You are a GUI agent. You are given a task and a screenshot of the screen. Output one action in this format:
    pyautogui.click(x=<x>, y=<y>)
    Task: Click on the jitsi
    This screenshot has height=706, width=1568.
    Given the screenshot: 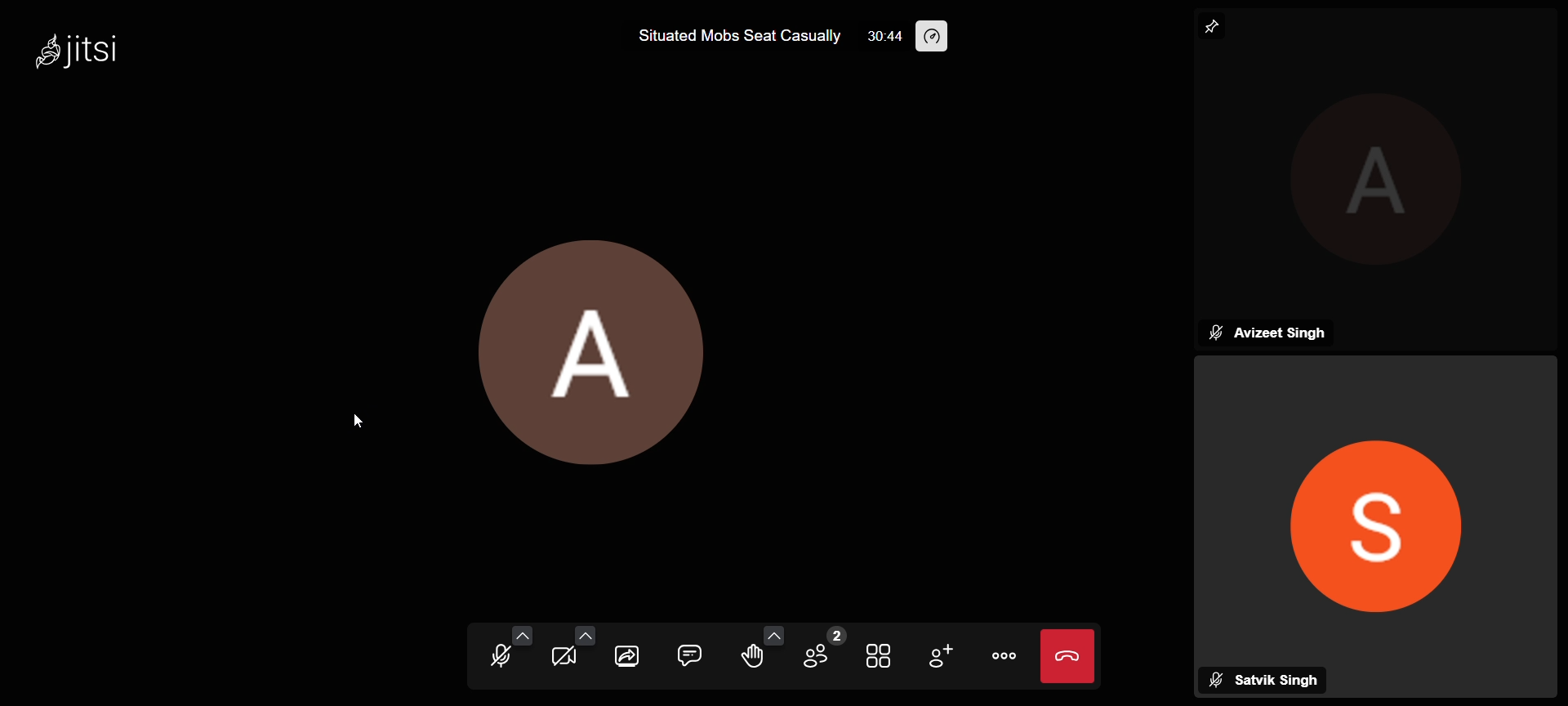 What is the action you would take?
    pyautogui.click(x=105, y=53)
    